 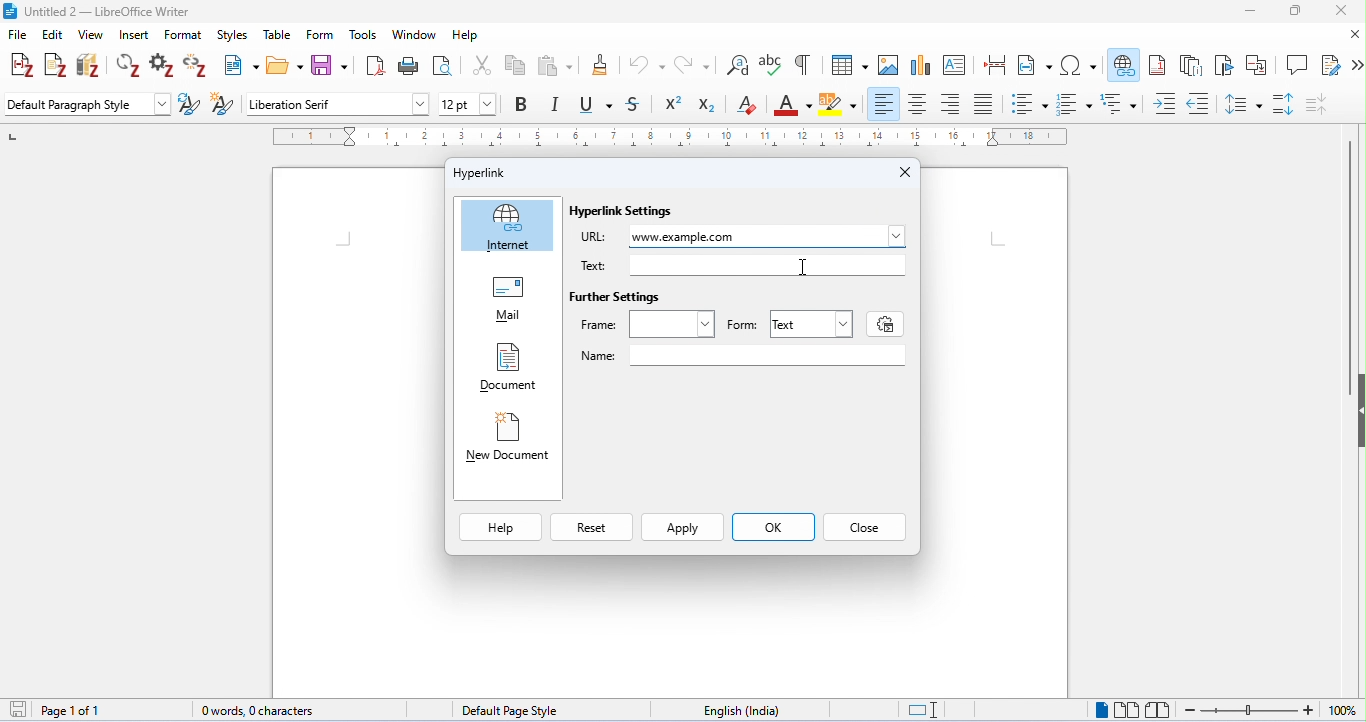 I want to click on new, so click(x=239, y=65).